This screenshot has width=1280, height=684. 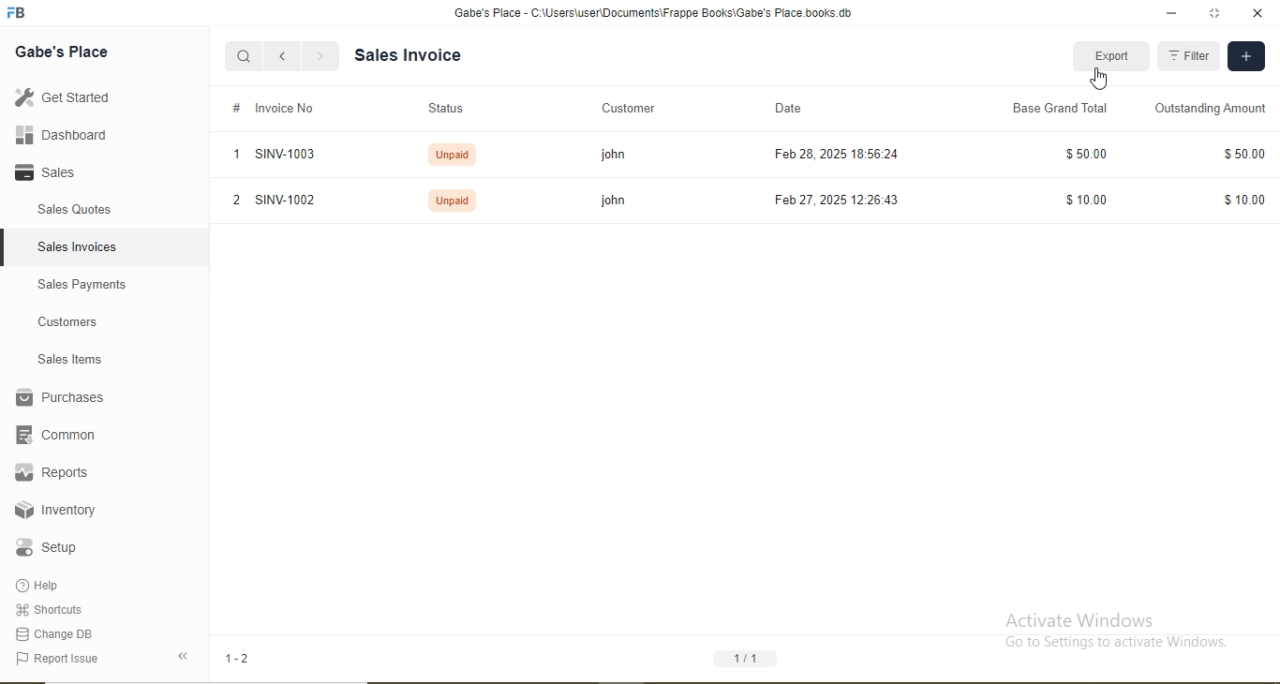 I want to click on 2 SINV-1002, so click(x=273, y=199).